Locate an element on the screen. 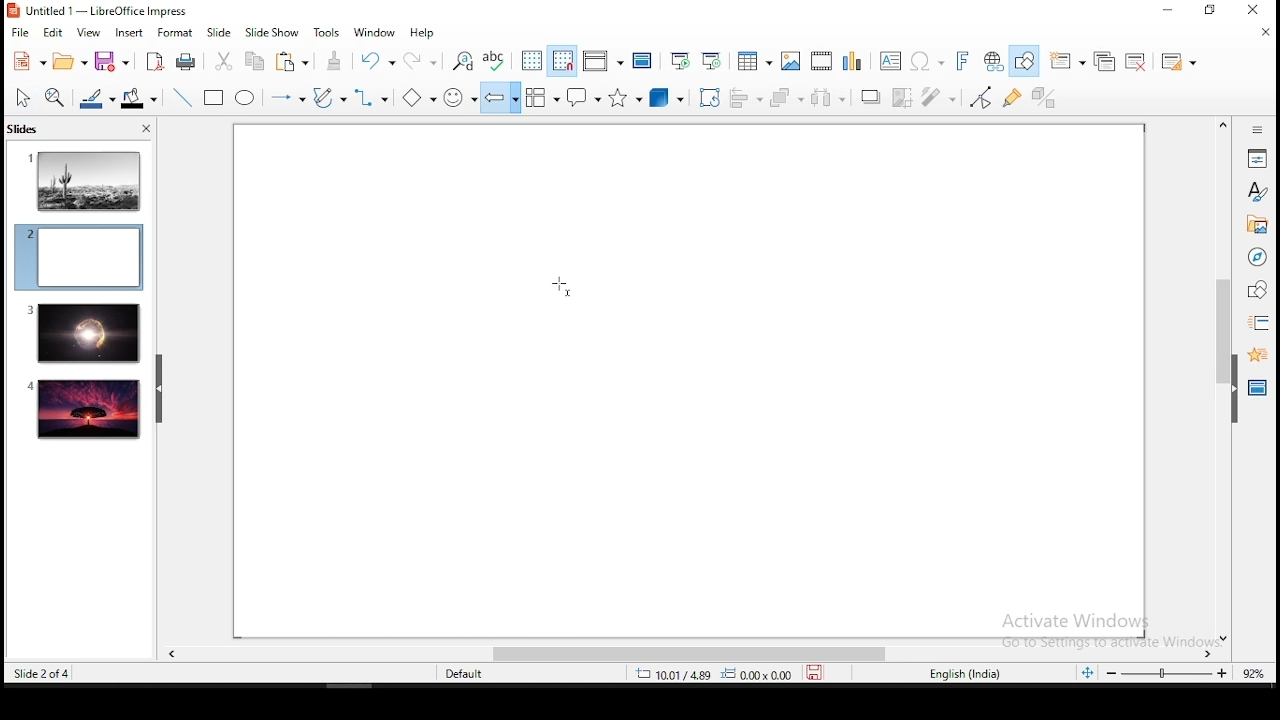  fontwork text is located at coordinates (961, 62).